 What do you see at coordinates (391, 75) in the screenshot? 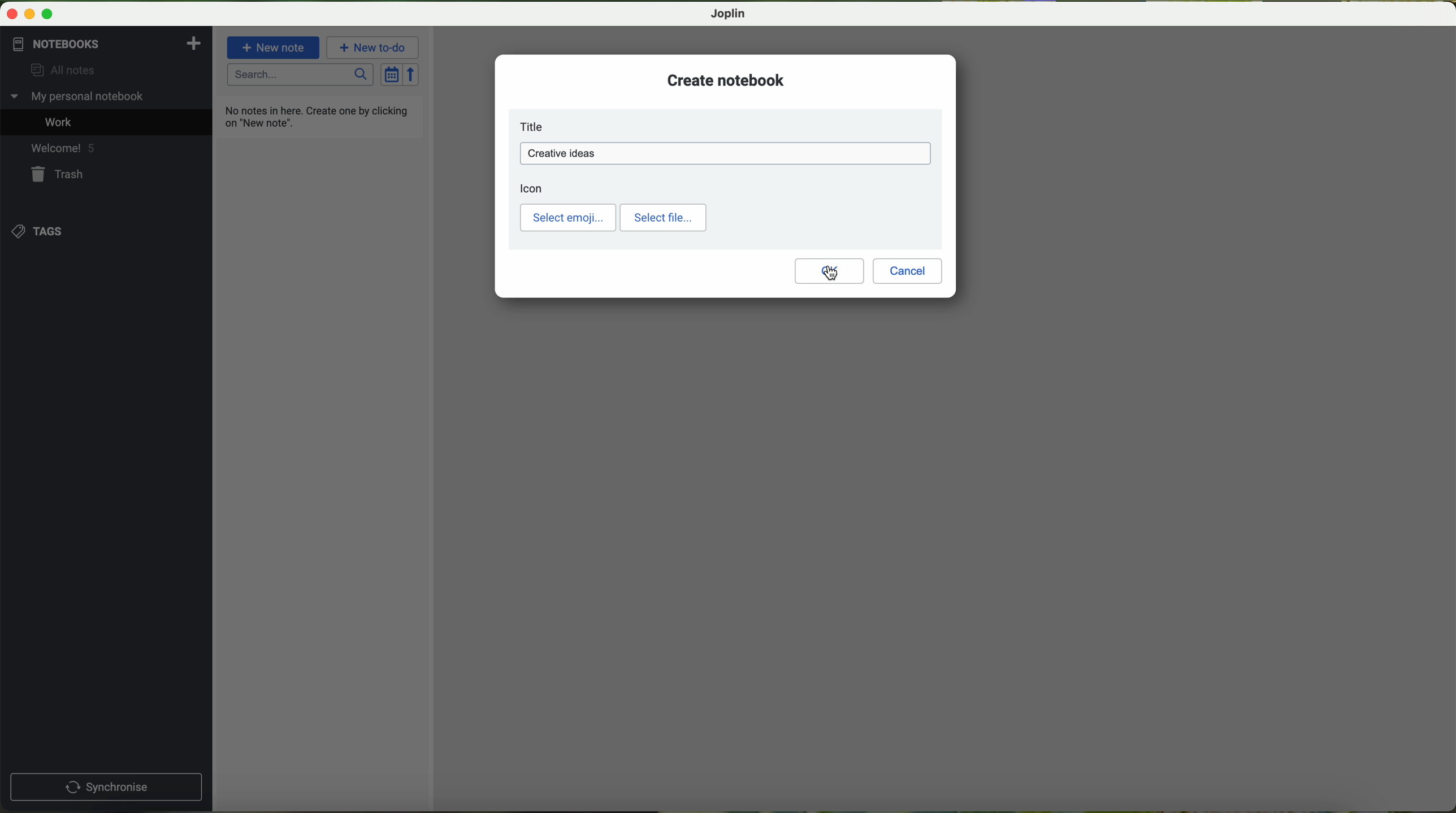
I see `` at bounding box center [391, 75].